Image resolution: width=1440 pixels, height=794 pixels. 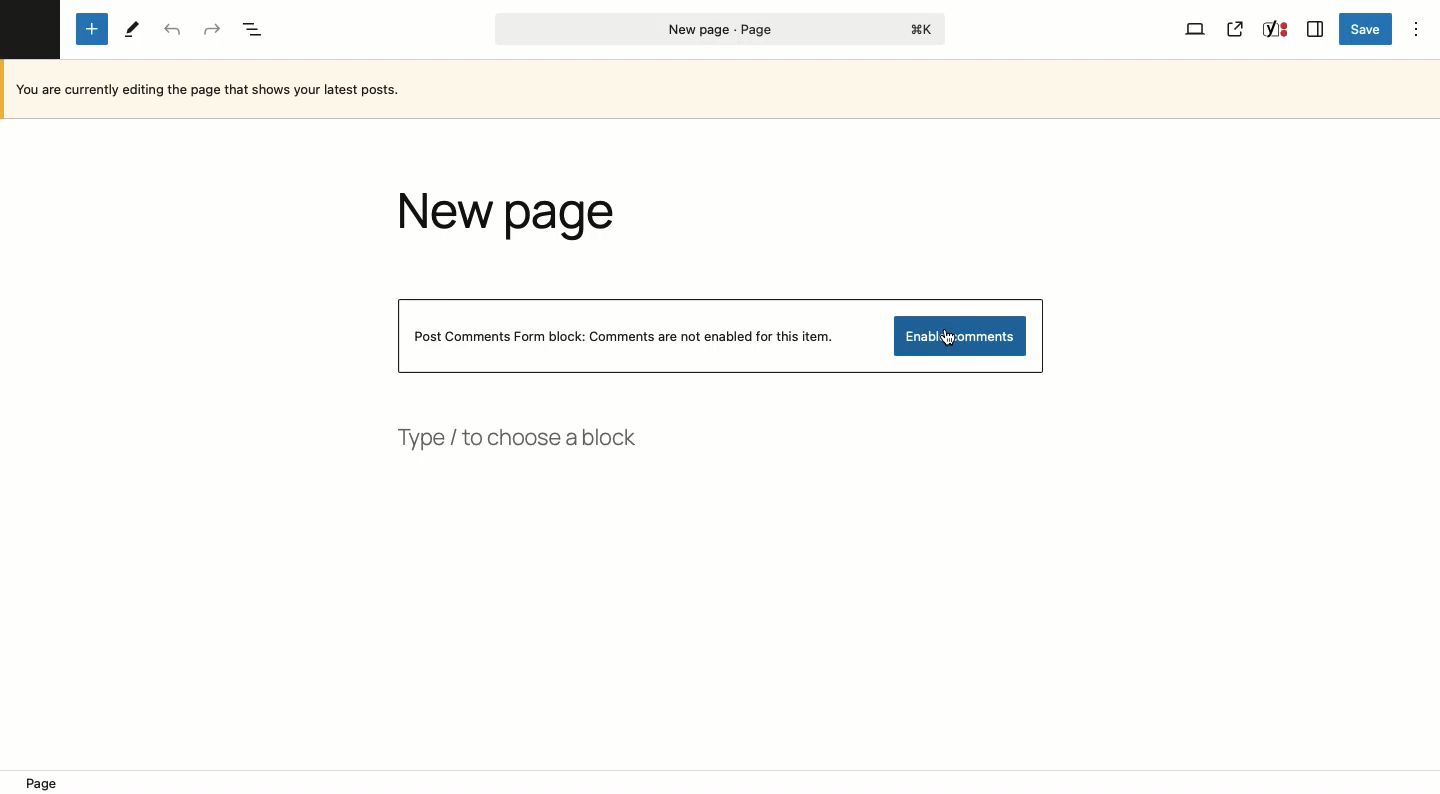 What do you see at coordinates (950, 339) in the screenshot?
I see `cursor` at bounding box center [950, 339].